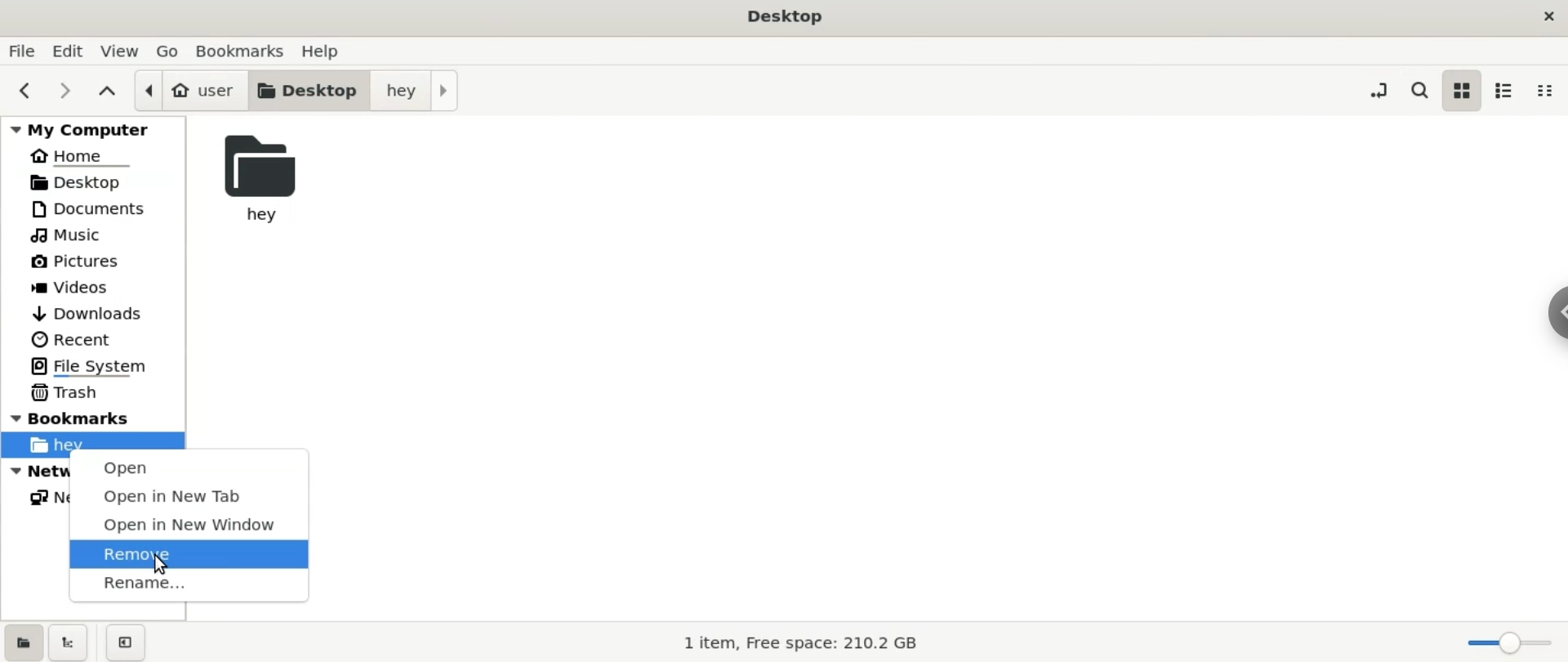 The height and width of the screenshot is (662, 1568). I want to click on previous, so click(23, 92).